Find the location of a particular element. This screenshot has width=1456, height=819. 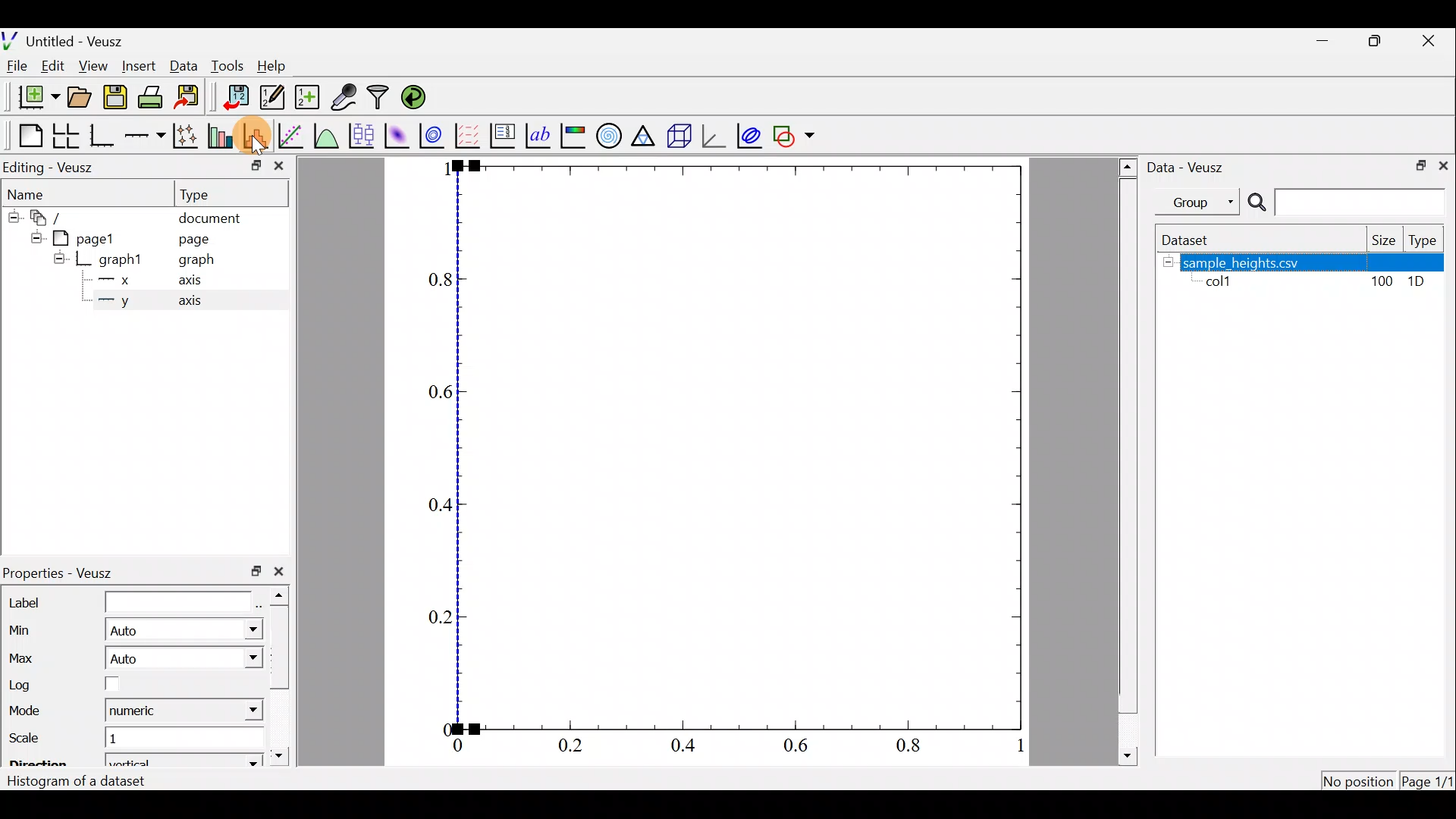

File is located at coordinates (19, 67).